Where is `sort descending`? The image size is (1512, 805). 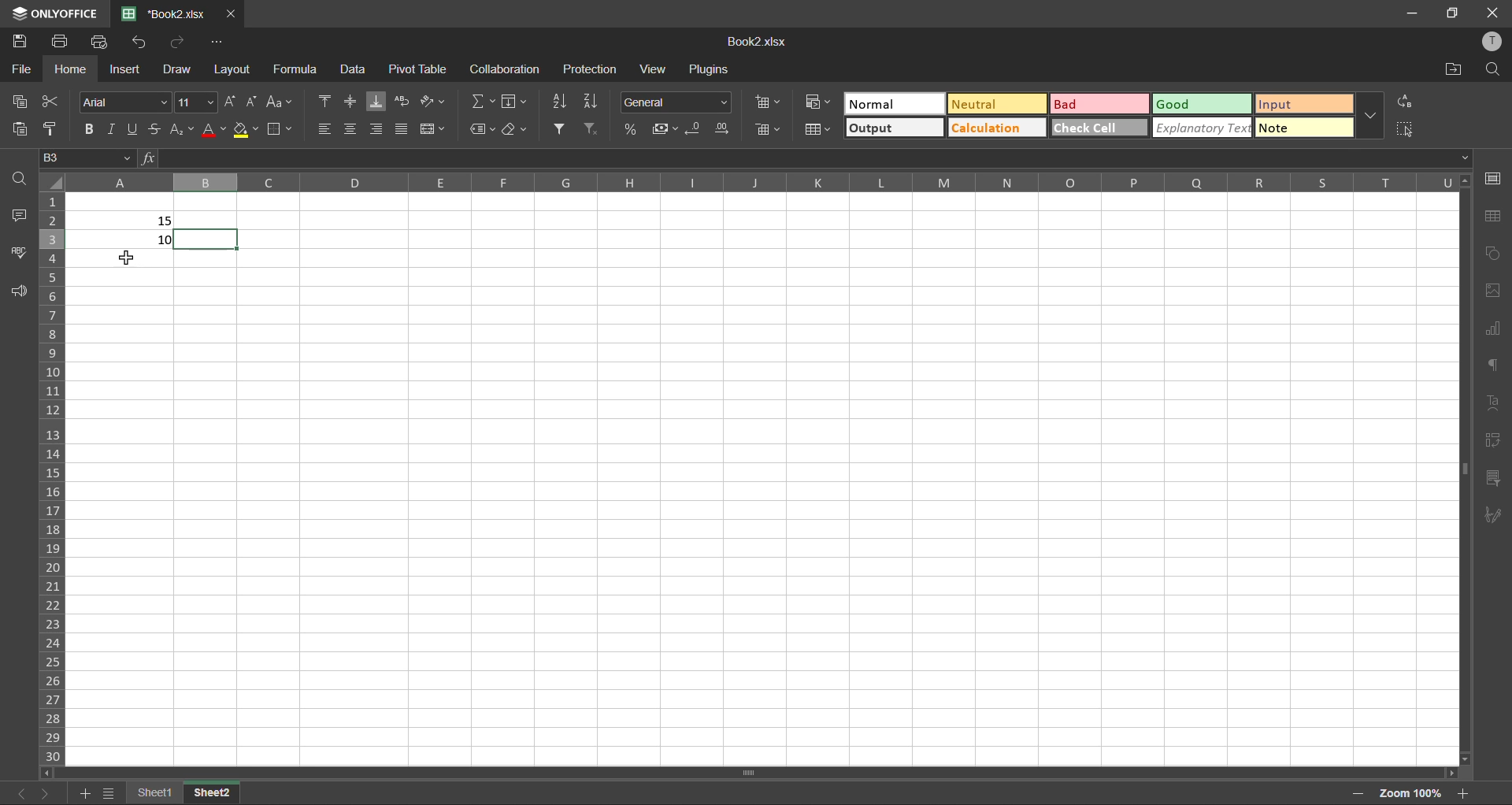
sort descending is located at coordinates (592, 100).